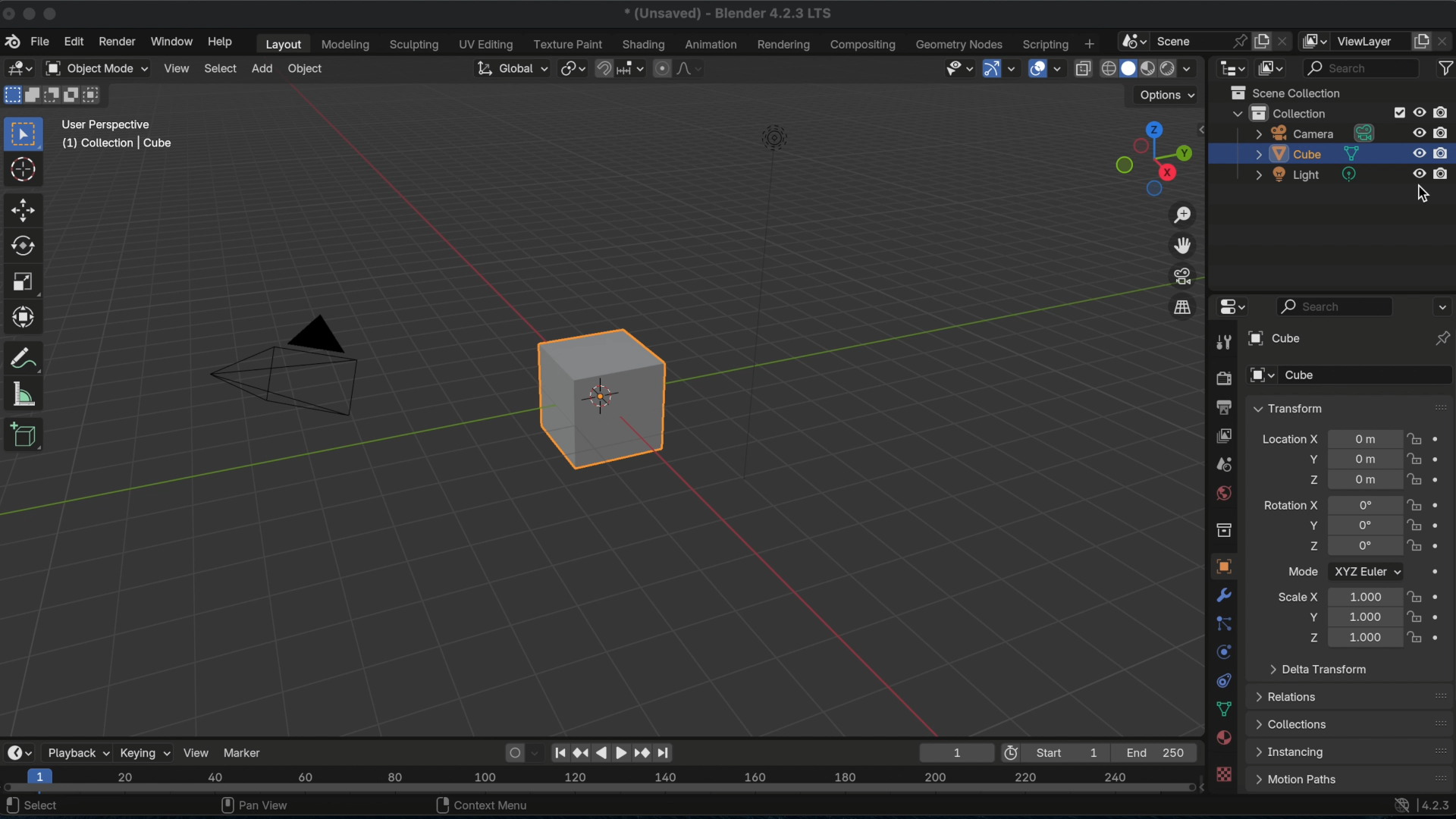 This screenshot has width=1456, height=819. Describe the element at coordinates (306, 69) in the screenshot. I see `object` at that location.